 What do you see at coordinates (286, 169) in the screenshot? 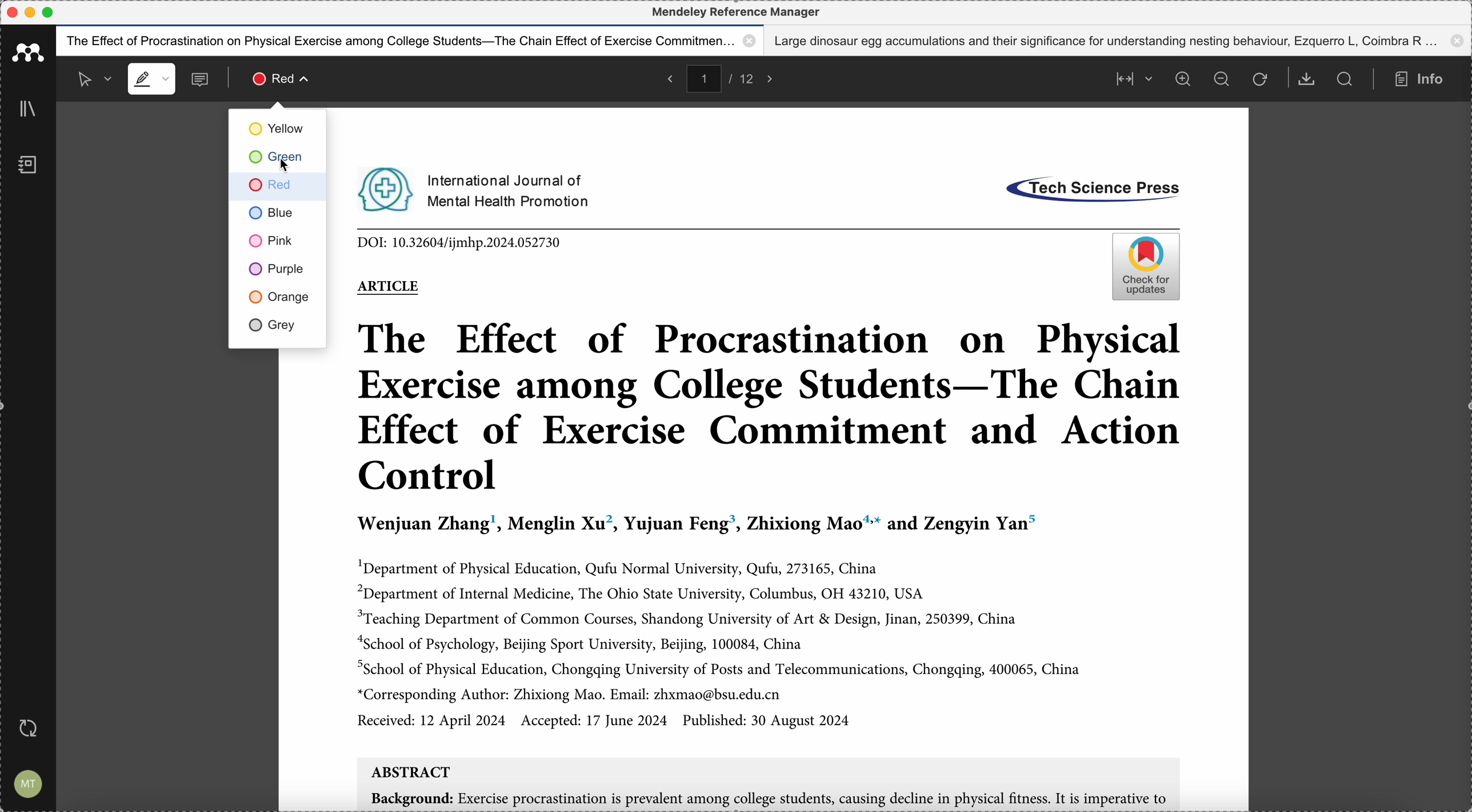
I see `cursor` at bounding box center [286, 169].